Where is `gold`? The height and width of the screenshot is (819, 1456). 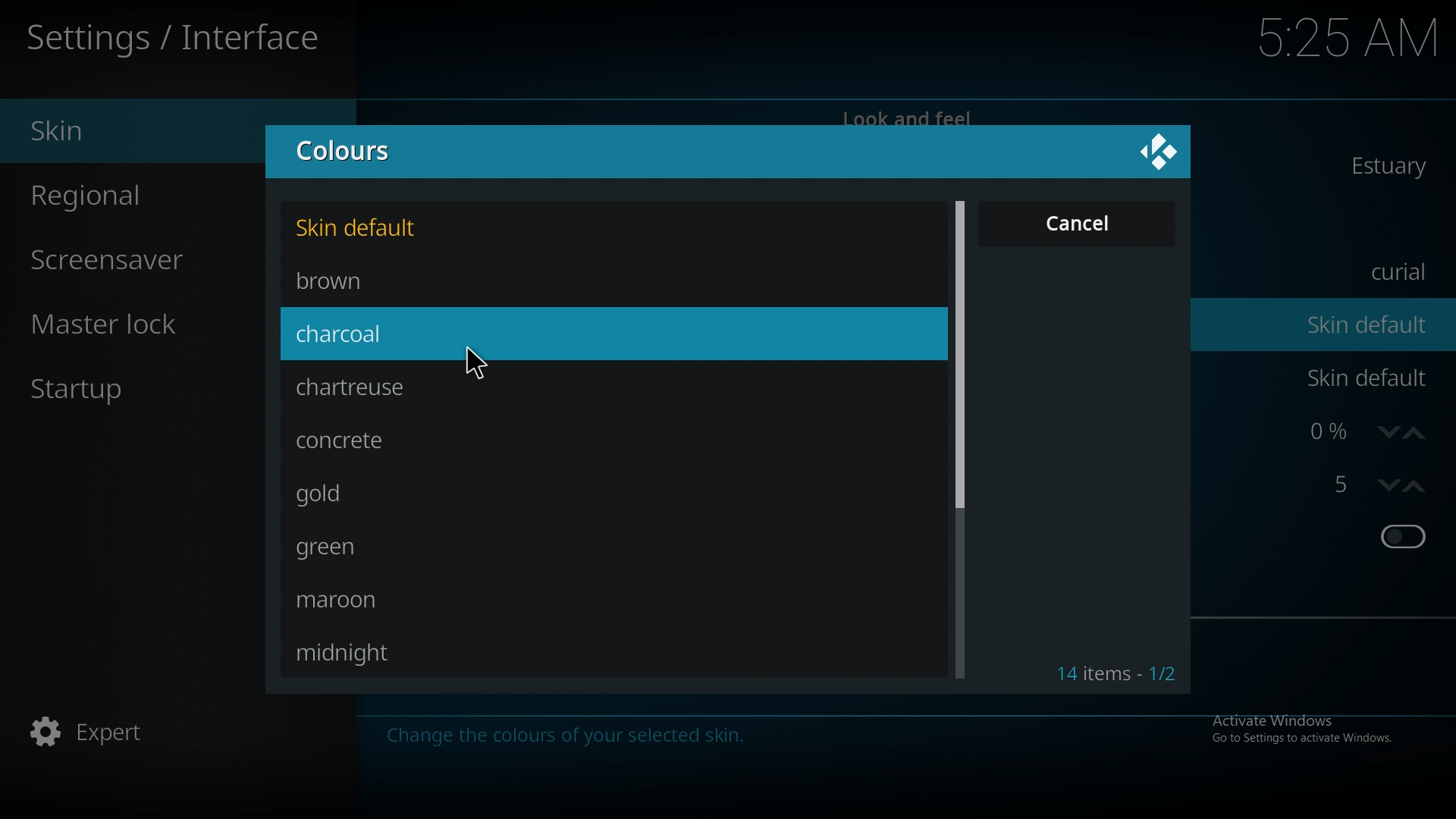
gold is located at coordinates (366, 495).